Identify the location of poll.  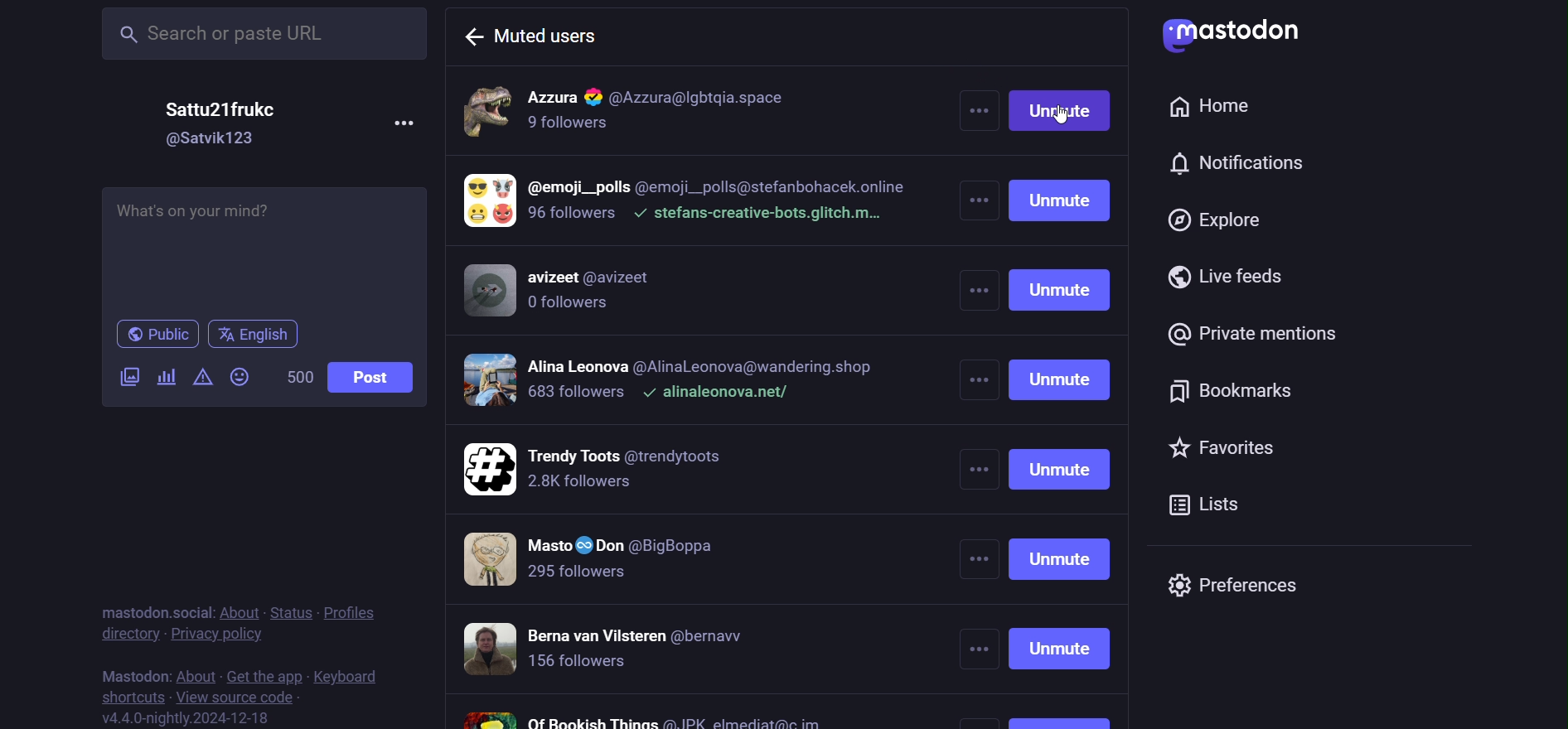
(167, 375).